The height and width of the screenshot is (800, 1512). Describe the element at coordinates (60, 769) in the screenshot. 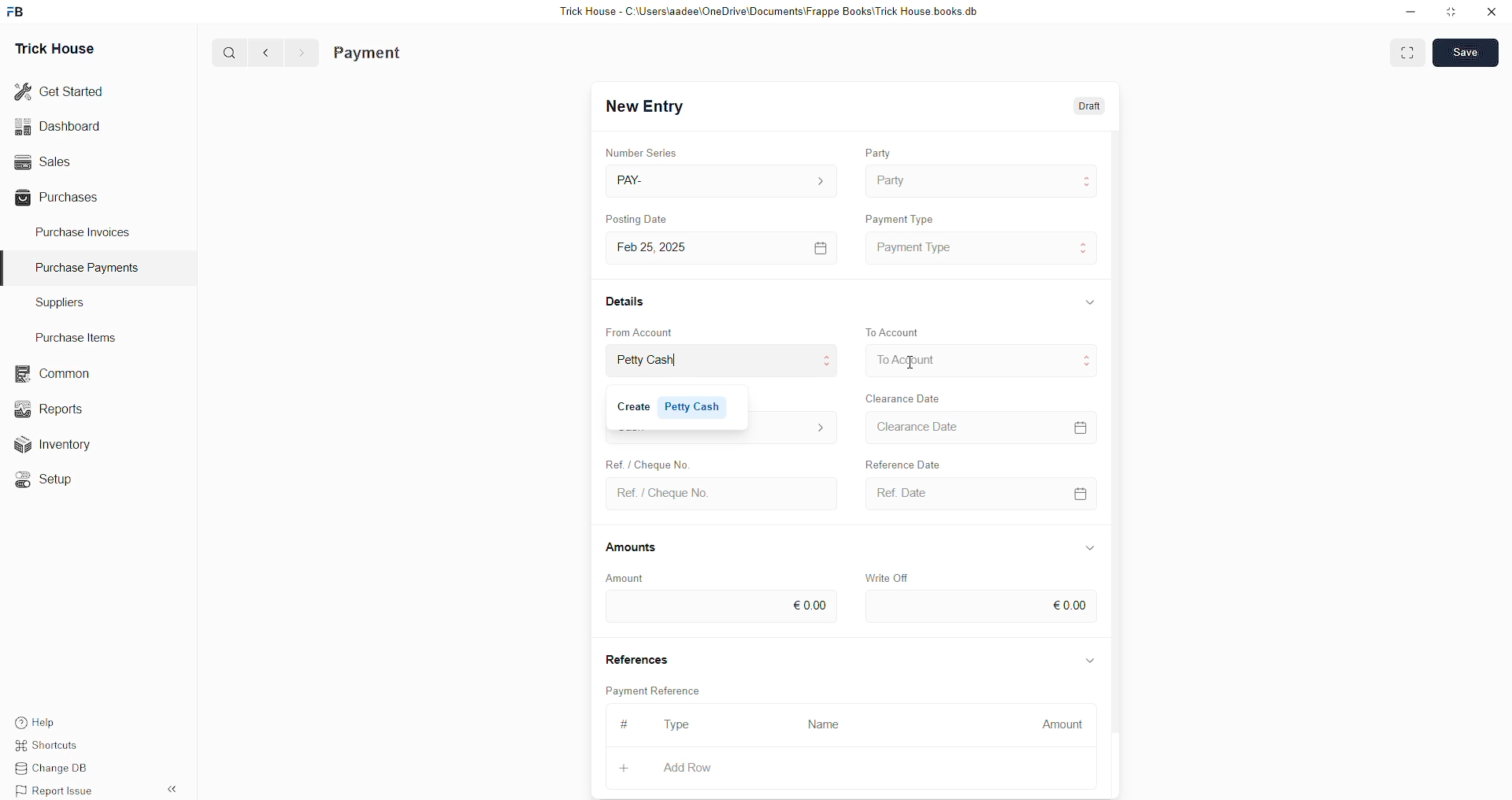

I see `Change DB` at that location.